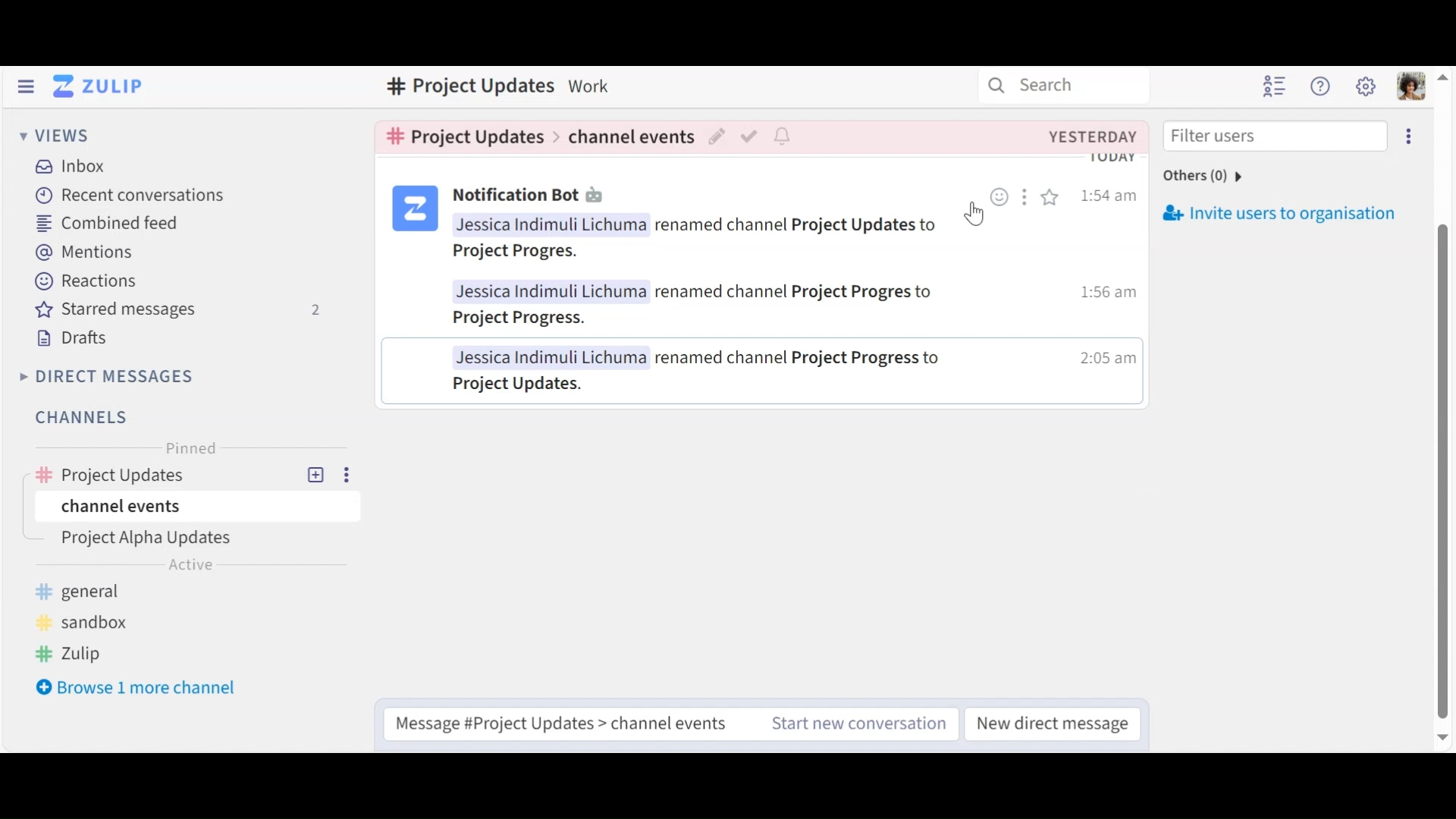  I want to click on Starred messages, so click(184, 311).